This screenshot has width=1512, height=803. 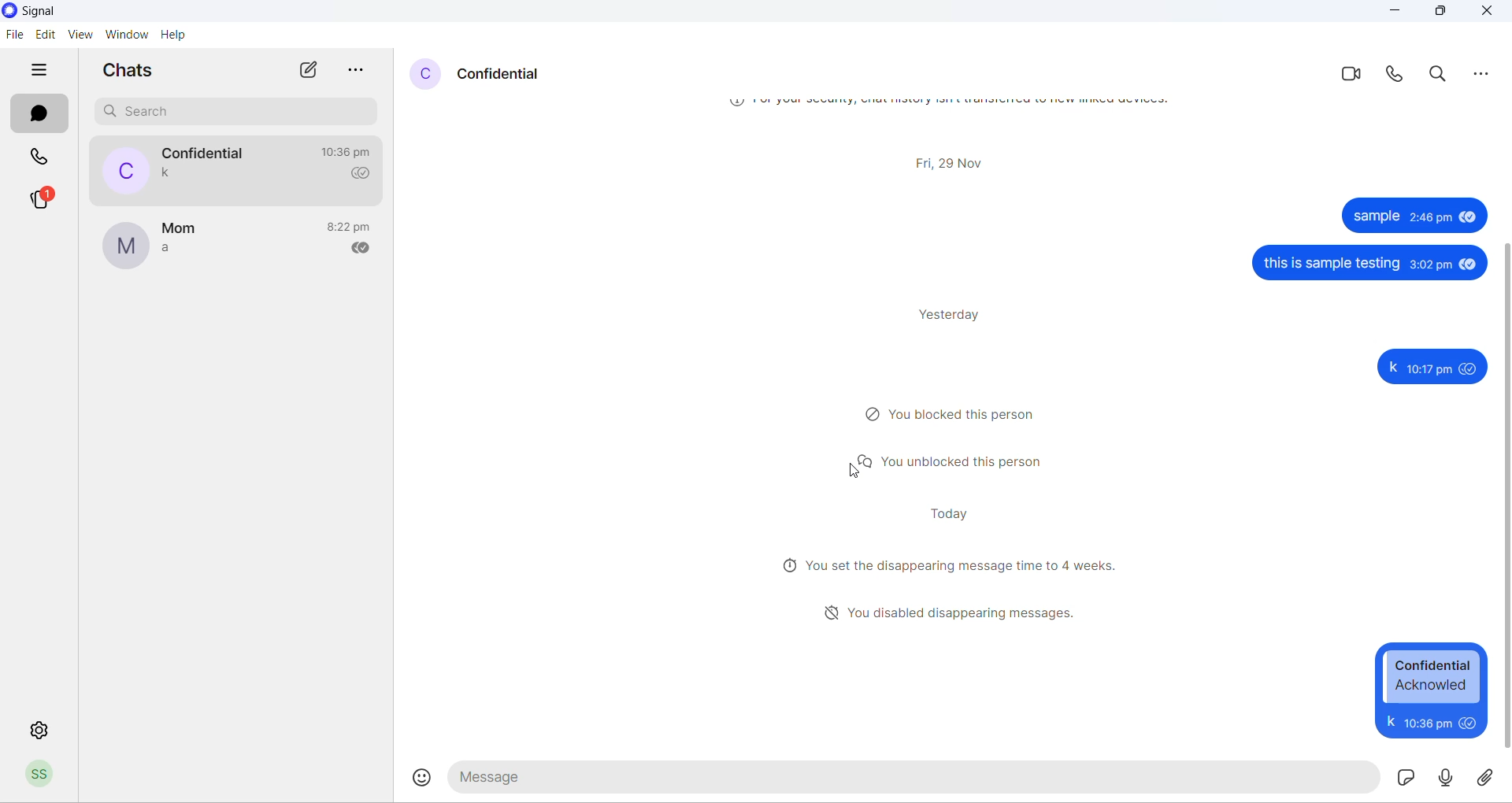 I want to click on block notification, so click(x=953, y=413).